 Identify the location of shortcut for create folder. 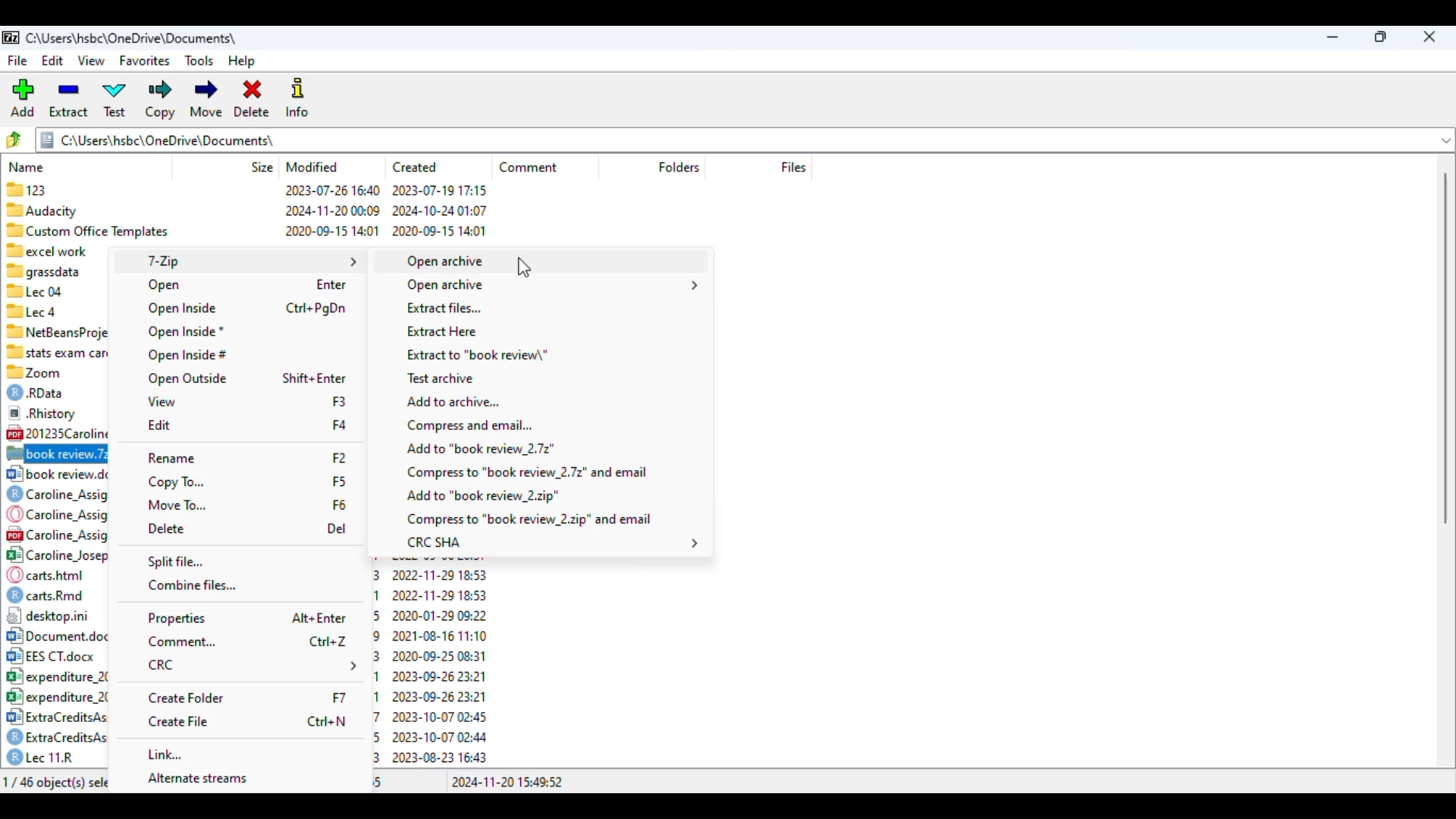
(338, 698).